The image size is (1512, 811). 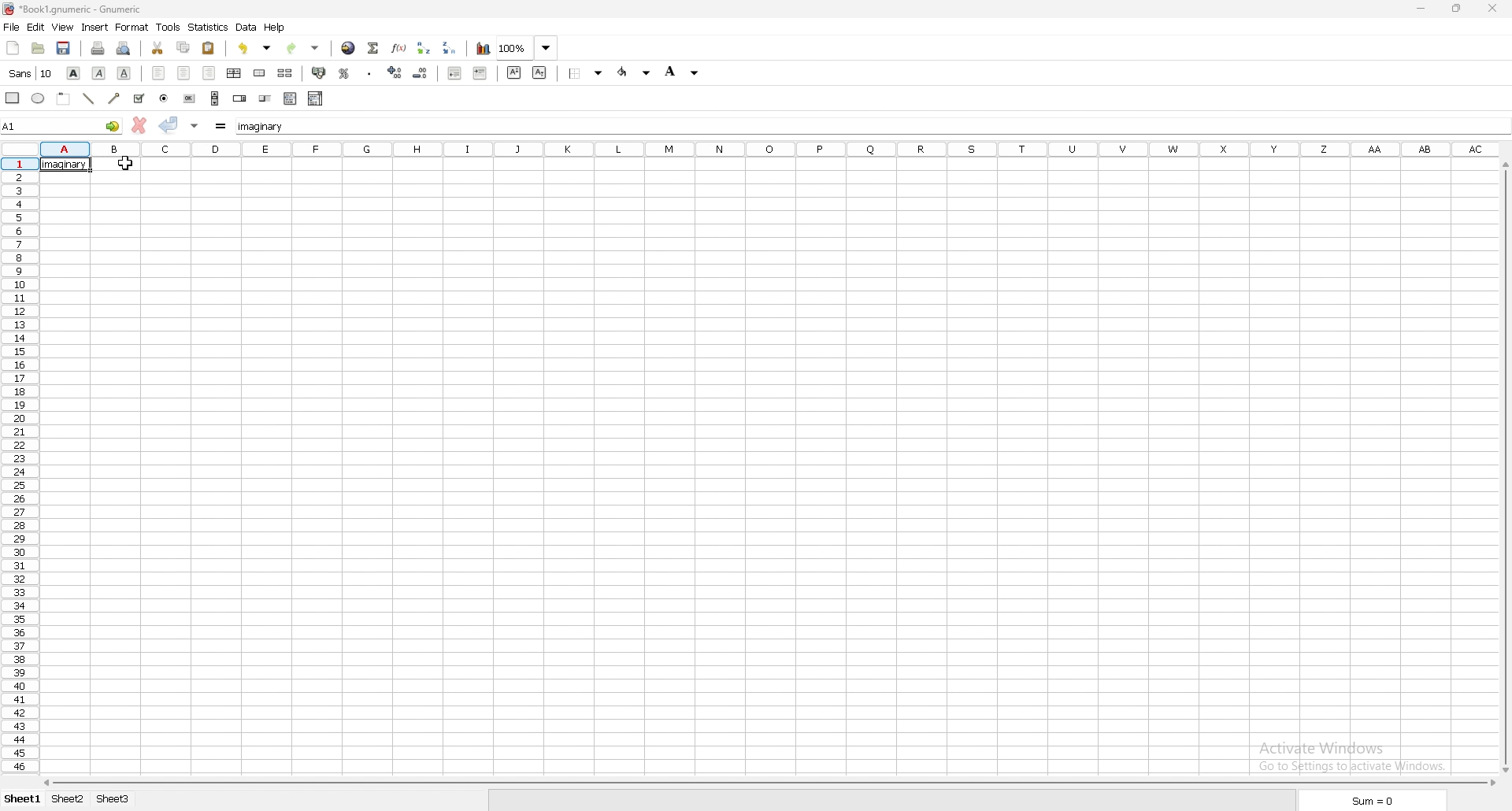 I want to click on merge cells, so click(x=260, y=72).